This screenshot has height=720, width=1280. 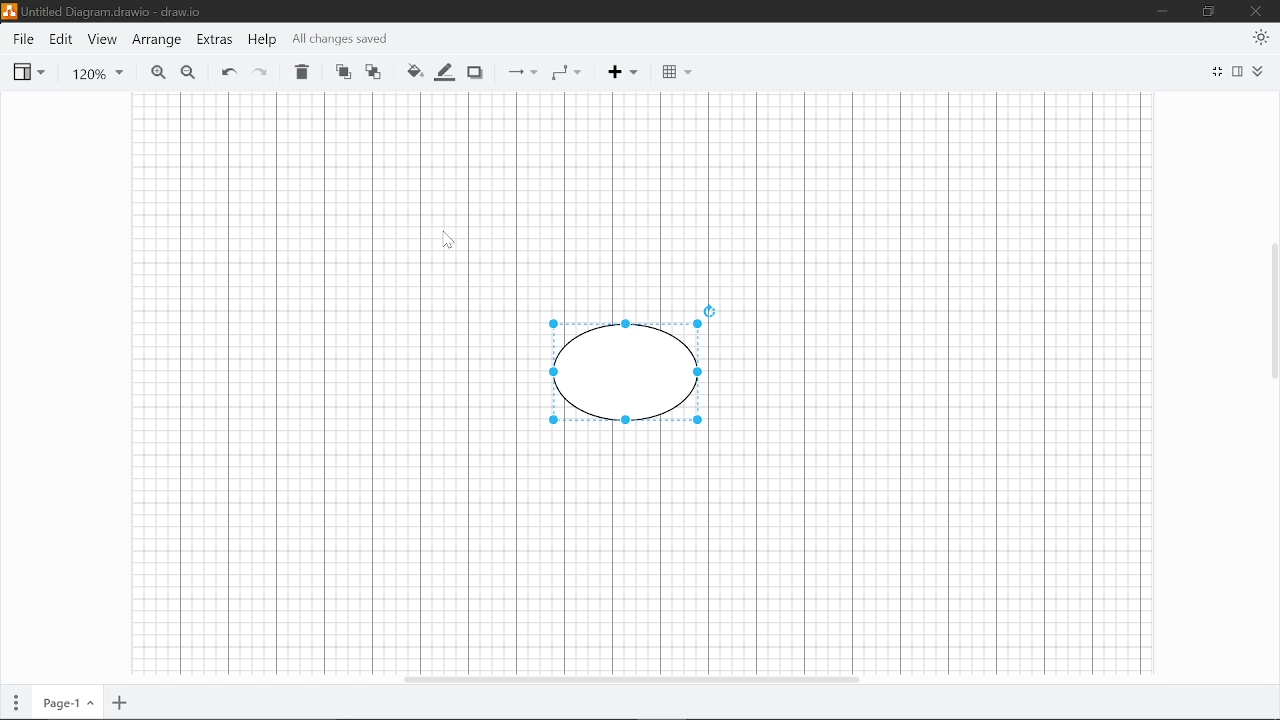 I want to click on Zoom out, so click(x=187, y=72).